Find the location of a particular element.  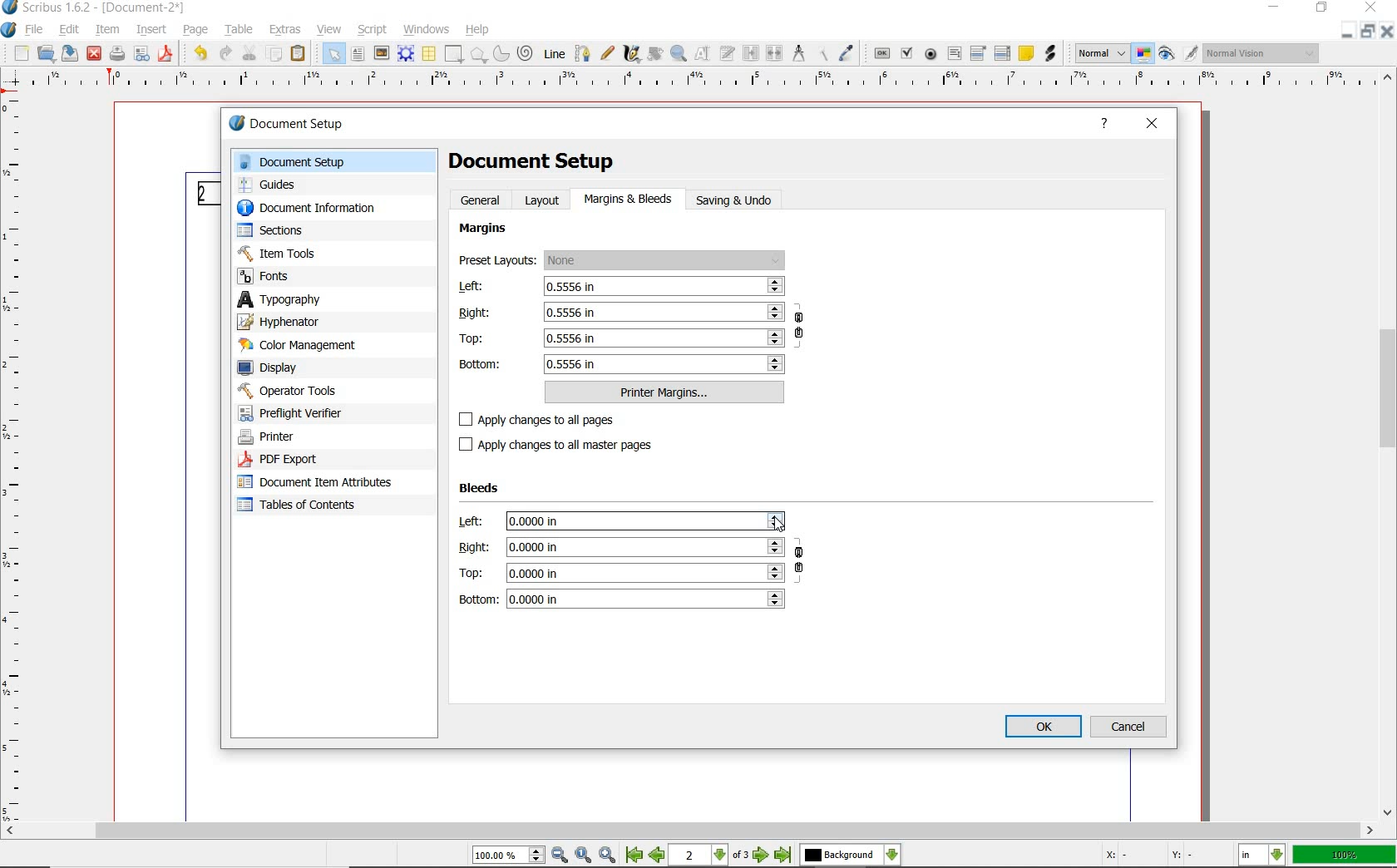

measurements is located at coordinates (800, 55).